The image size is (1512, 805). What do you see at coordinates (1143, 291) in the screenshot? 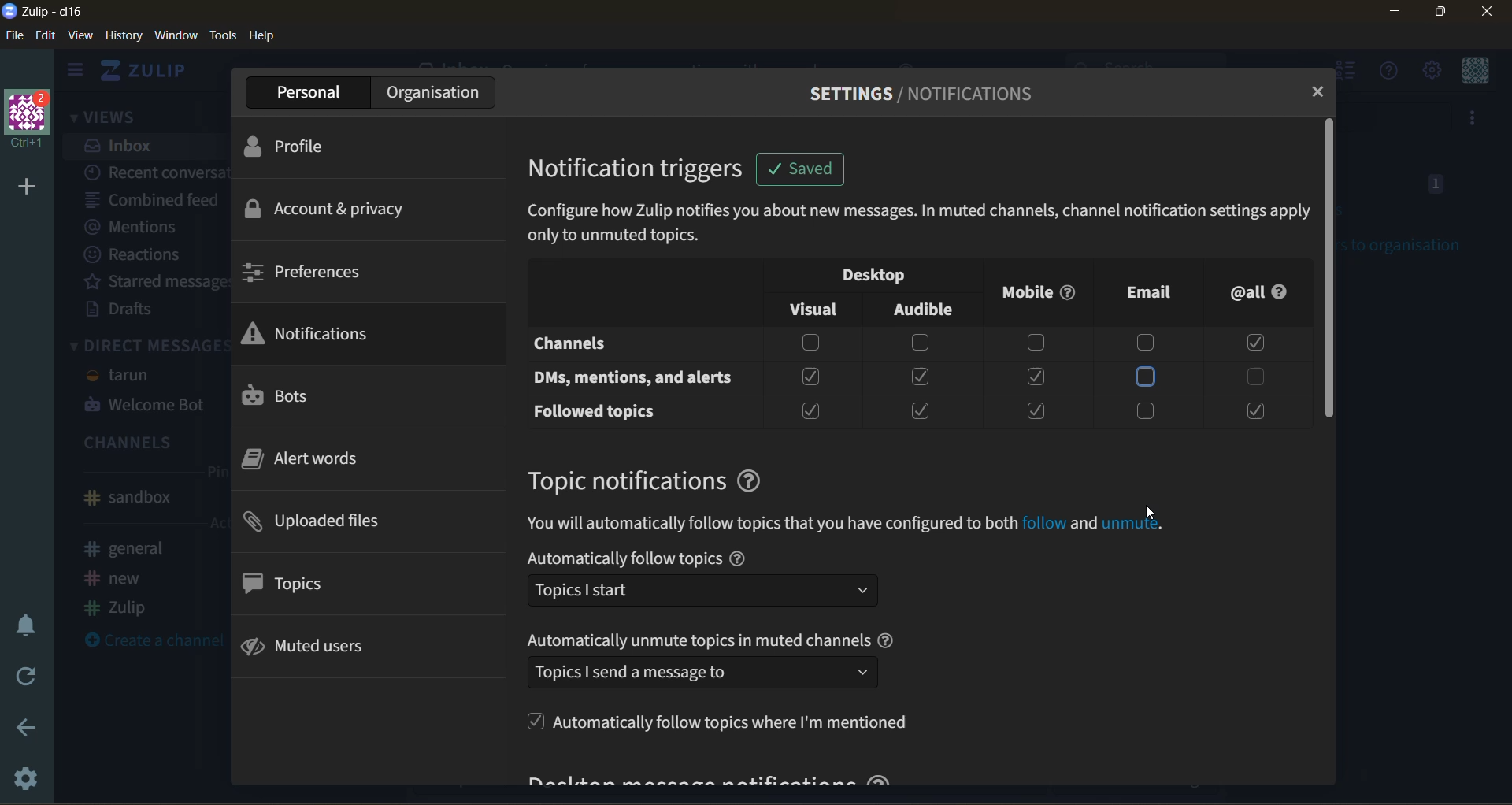
I see `email` at bounding box center [1143, 291].